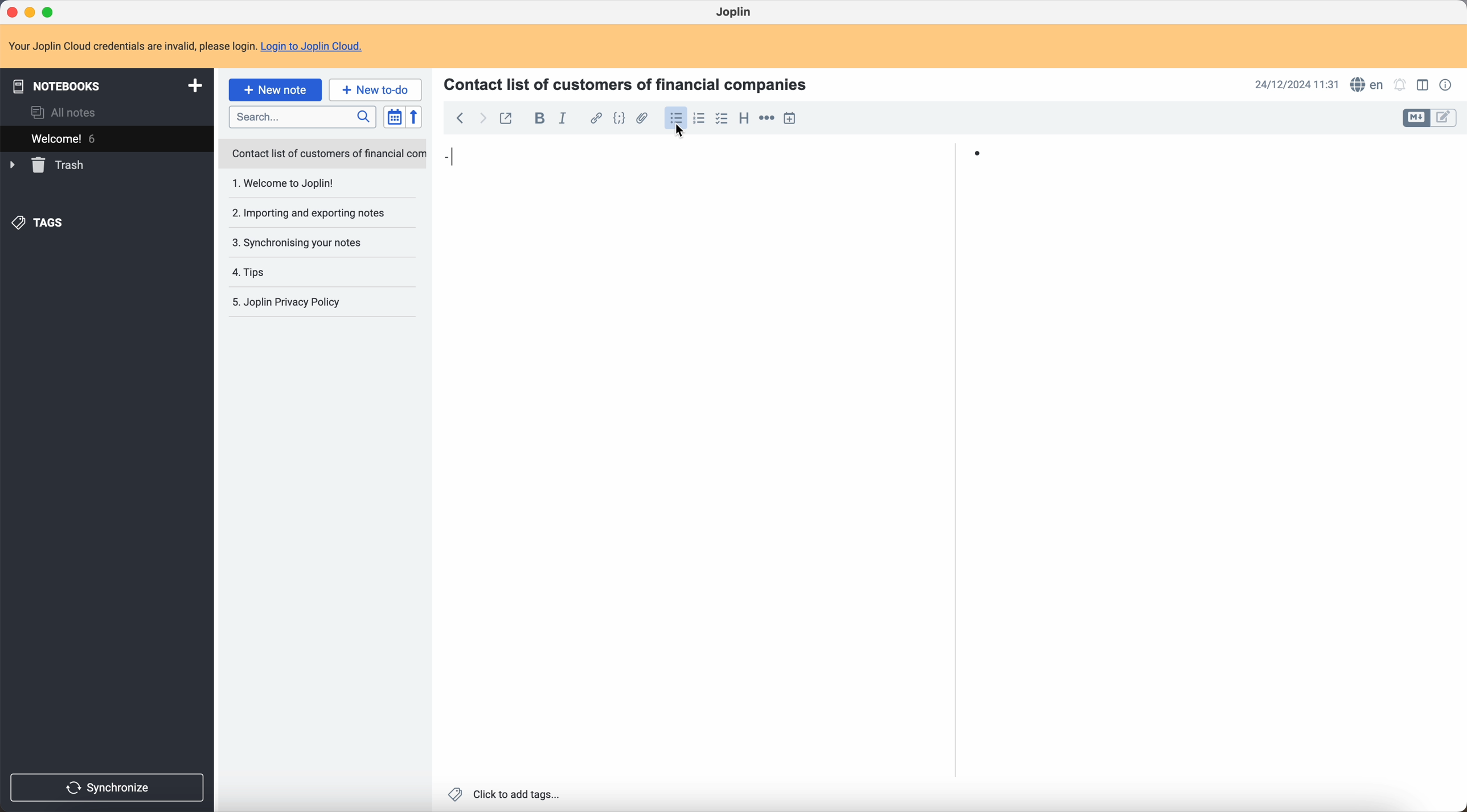 The height and width of the screenshot is (812, 1467). Describe the element at coordinates (301, 242) in the screenshot. I see `3. Synchronising your notes` at that location.